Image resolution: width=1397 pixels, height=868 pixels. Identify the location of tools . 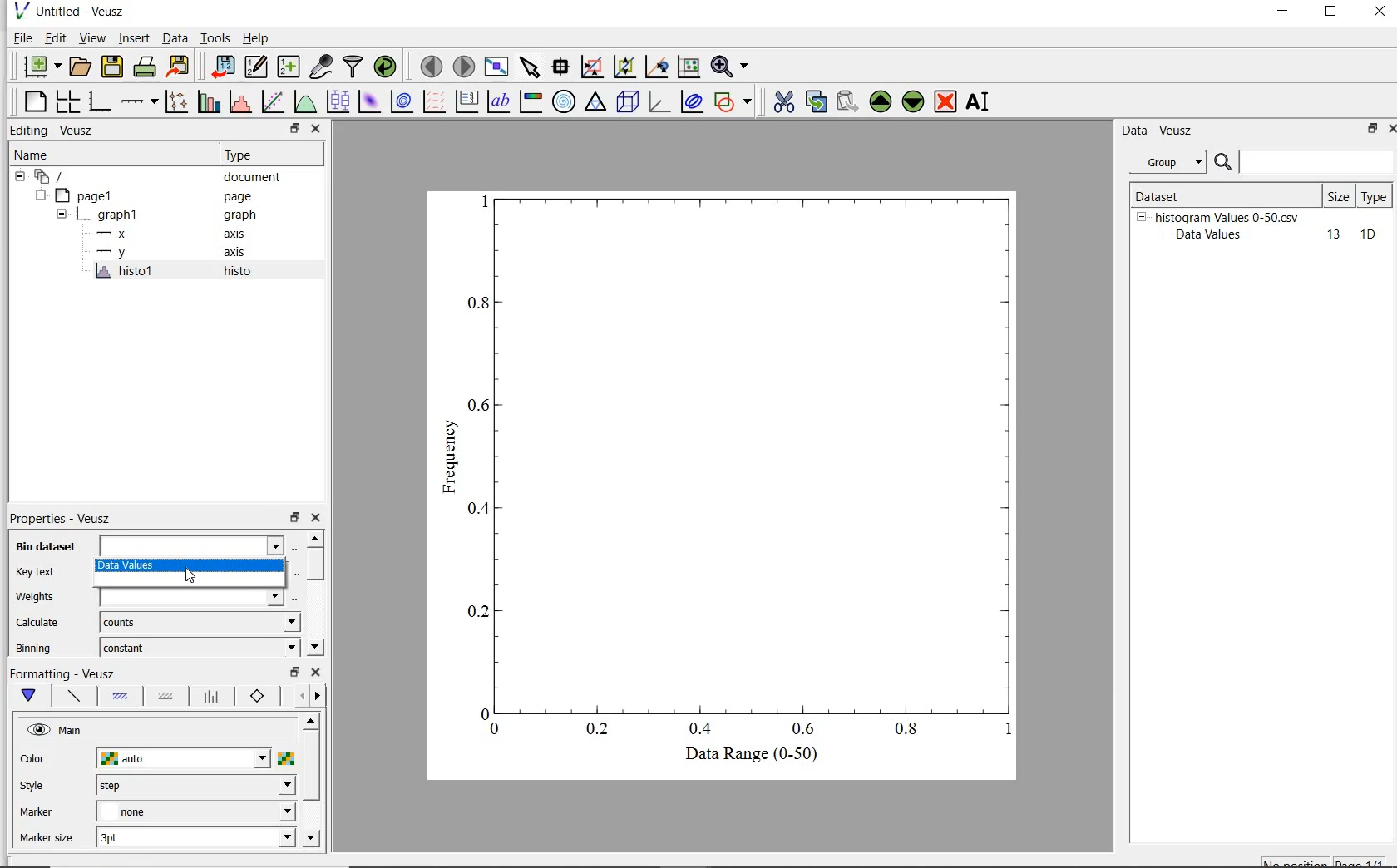
(216, 37).